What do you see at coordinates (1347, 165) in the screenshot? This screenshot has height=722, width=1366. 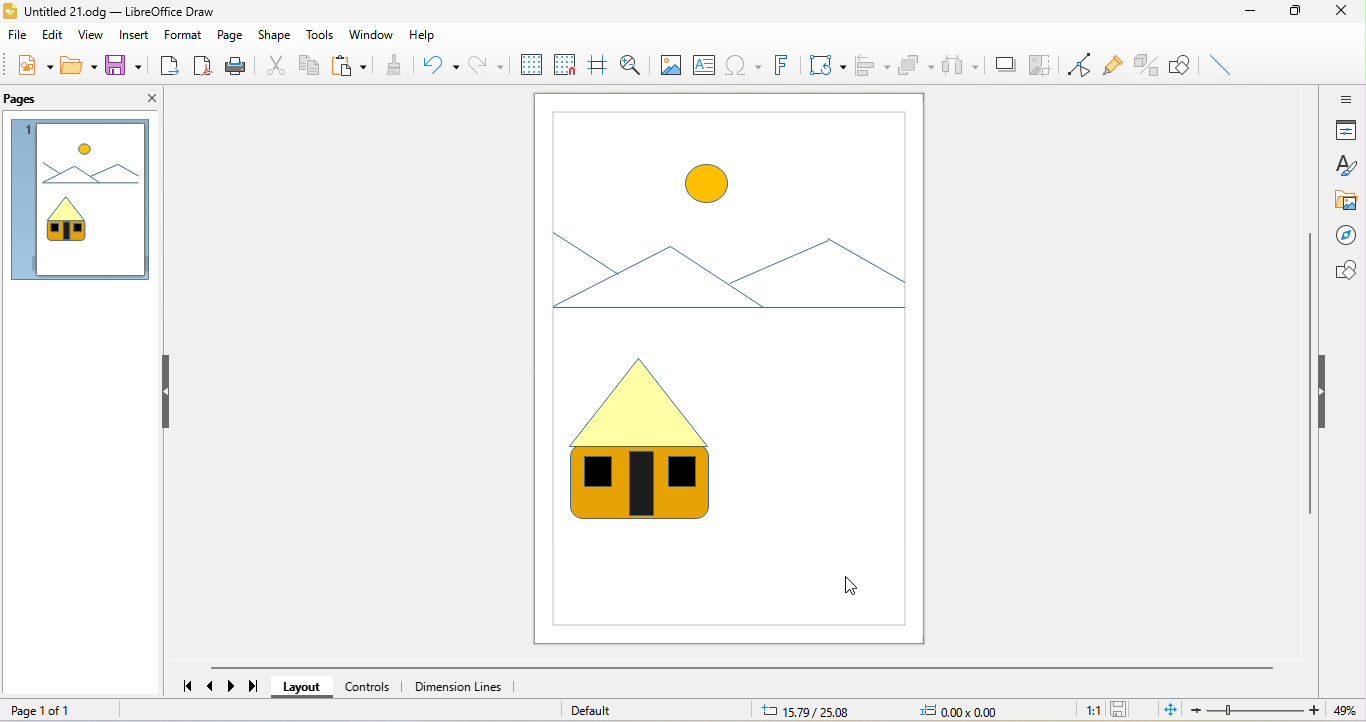 I see `style` at bounding box center [1347, 165].